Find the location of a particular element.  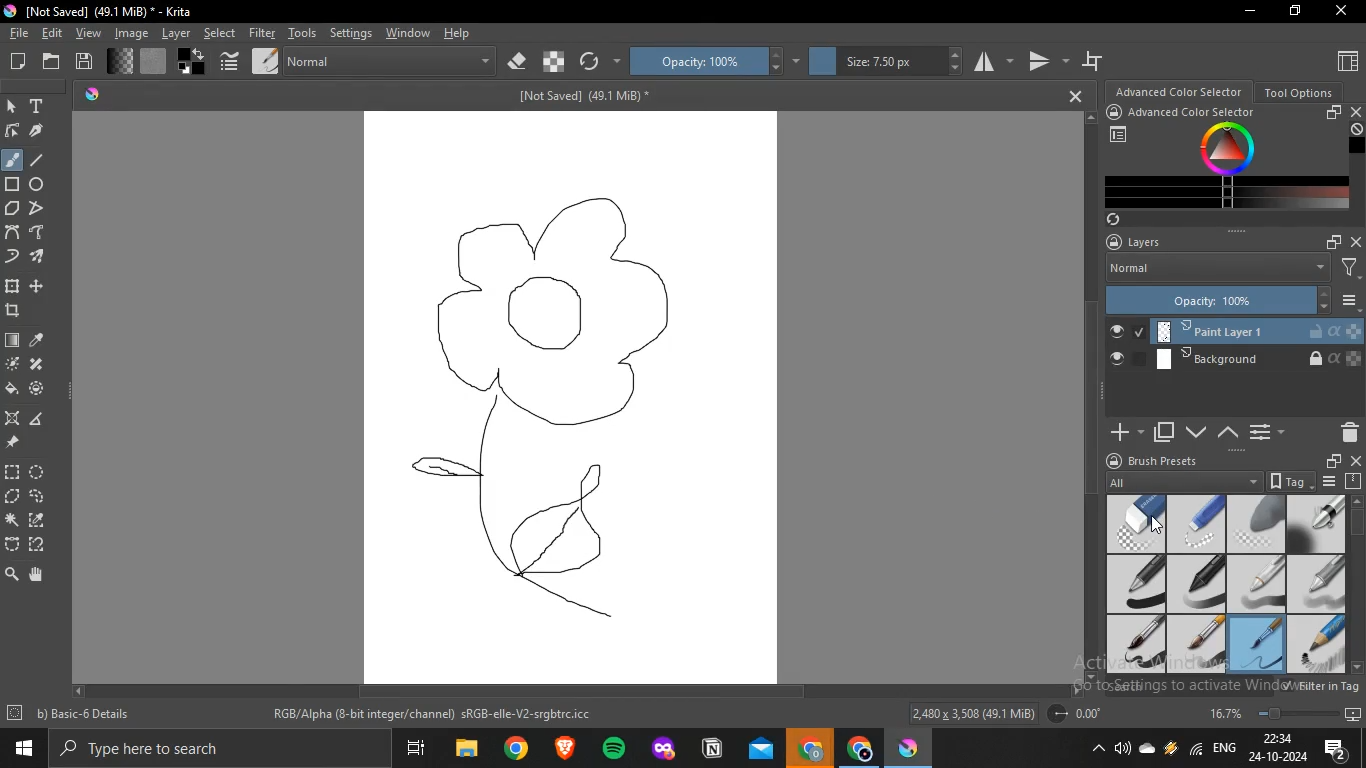

fill and color is located at coordinates (38, 389).